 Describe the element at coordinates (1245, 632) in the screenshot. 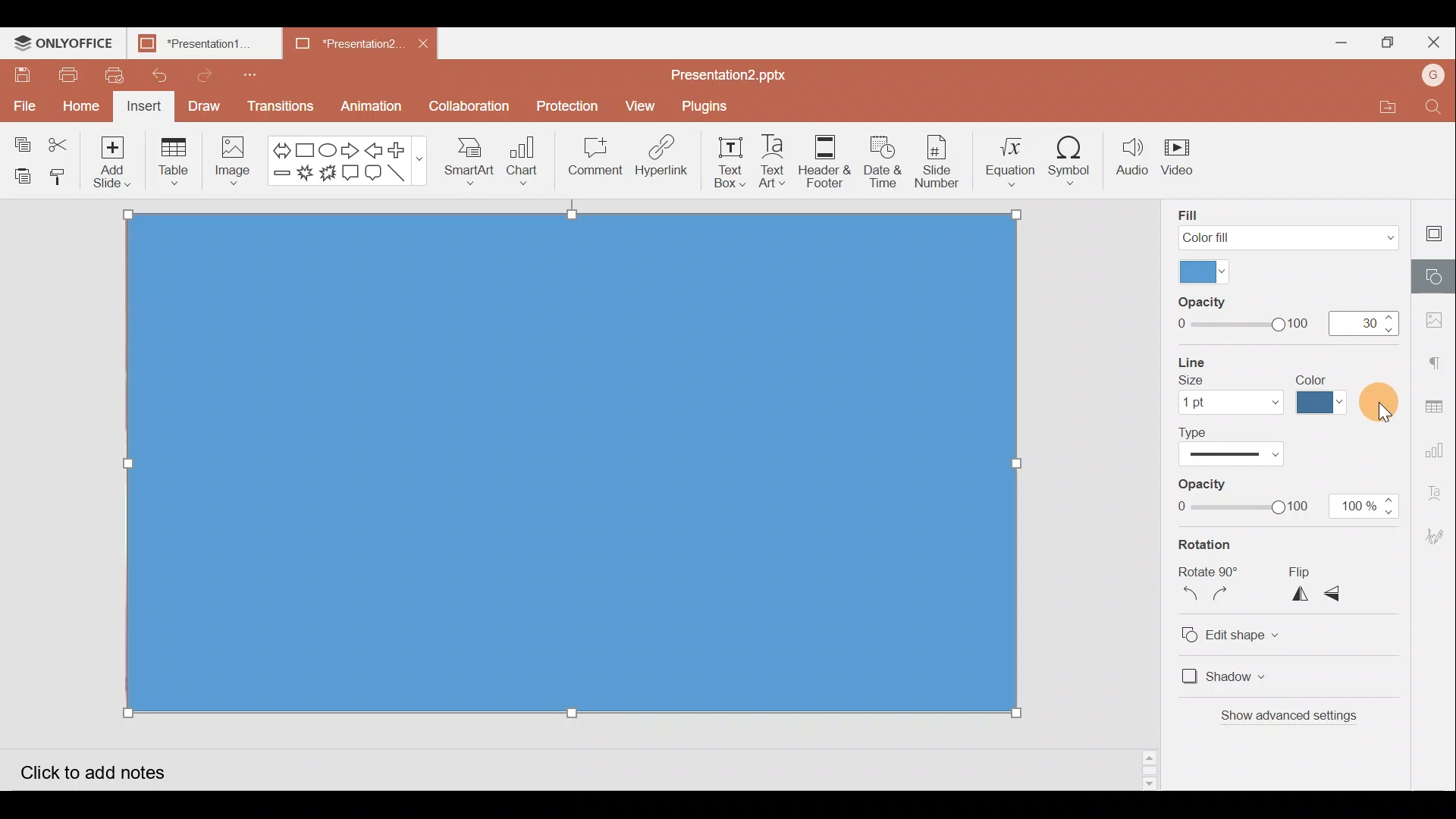

I see `Edit shape` at that location.